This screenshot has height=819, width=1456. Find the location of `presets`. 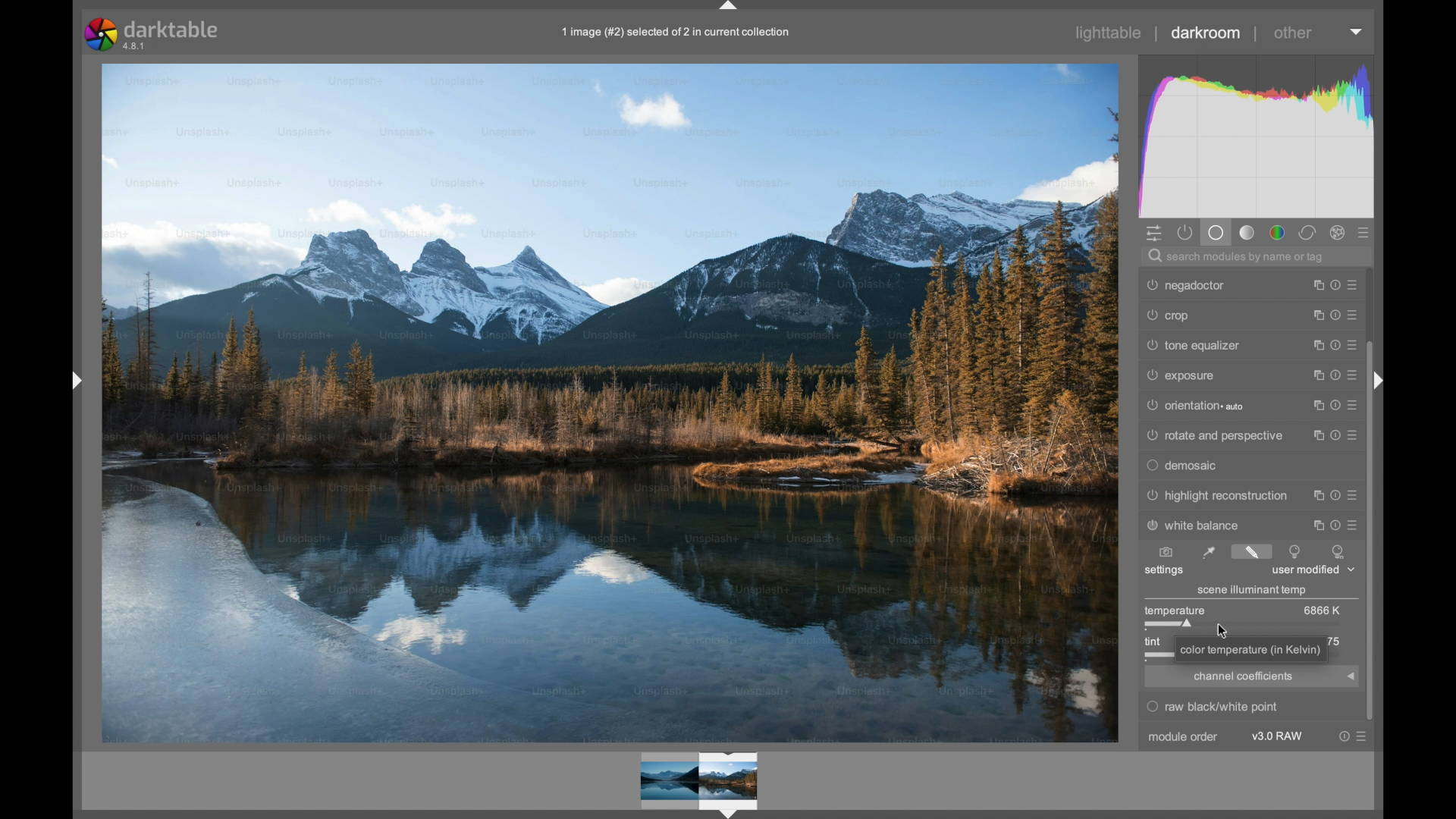

presets is located at coordinates (1353, 312).